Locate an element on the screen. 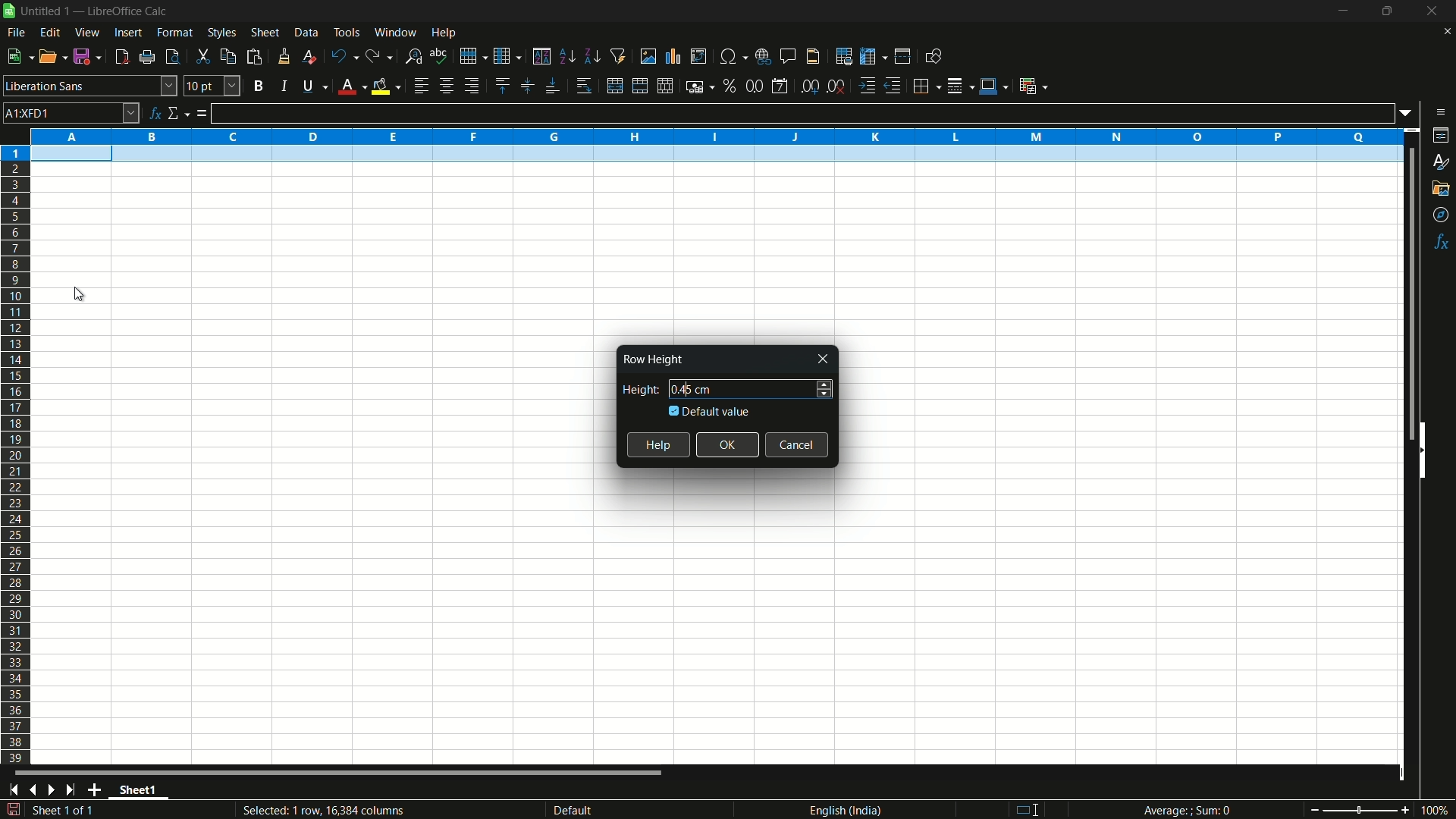 The image size is (1456, 819). height is located at coordinates (637, 390).